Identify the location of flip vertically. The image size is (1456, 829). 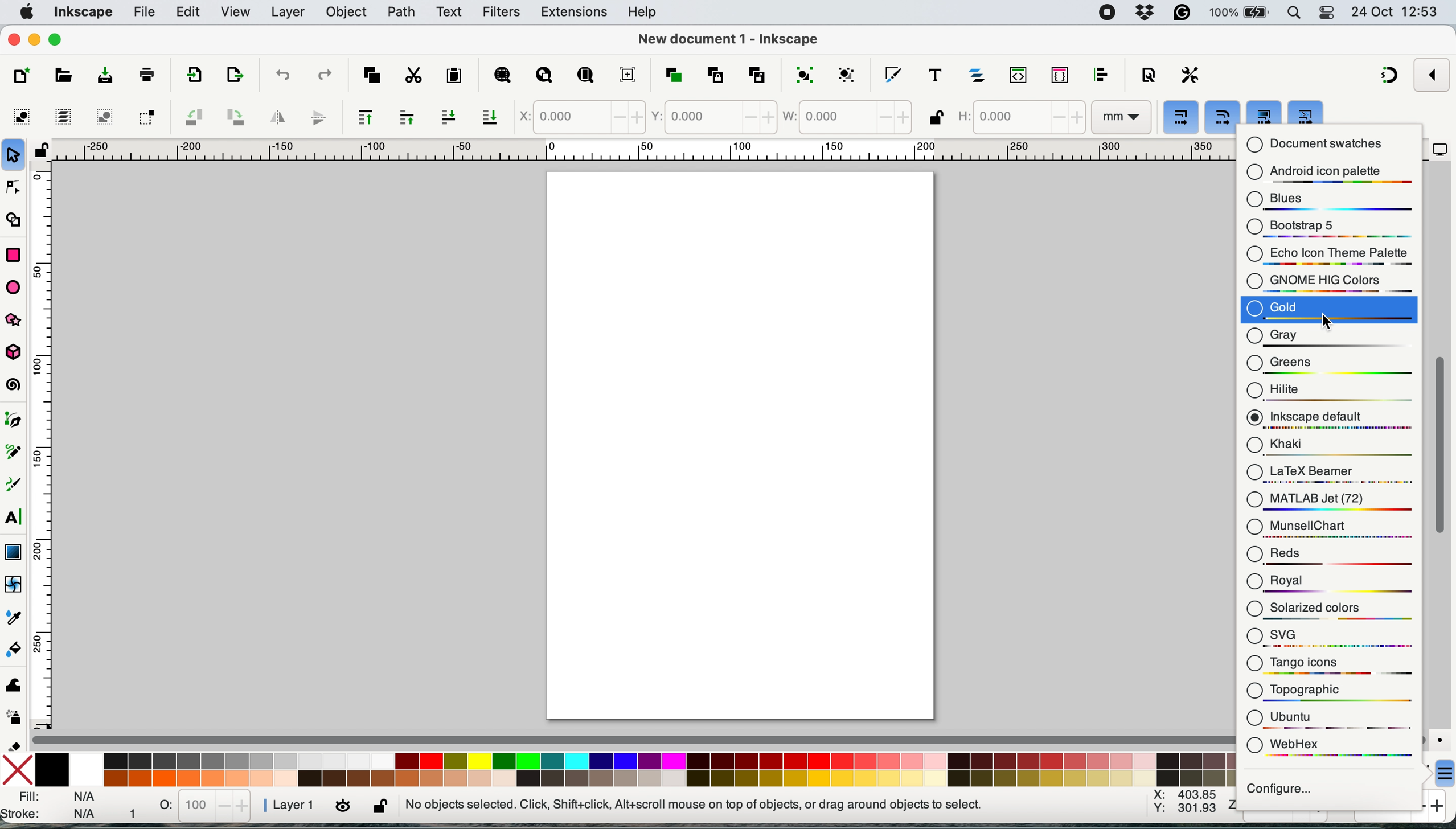
(319, 117).